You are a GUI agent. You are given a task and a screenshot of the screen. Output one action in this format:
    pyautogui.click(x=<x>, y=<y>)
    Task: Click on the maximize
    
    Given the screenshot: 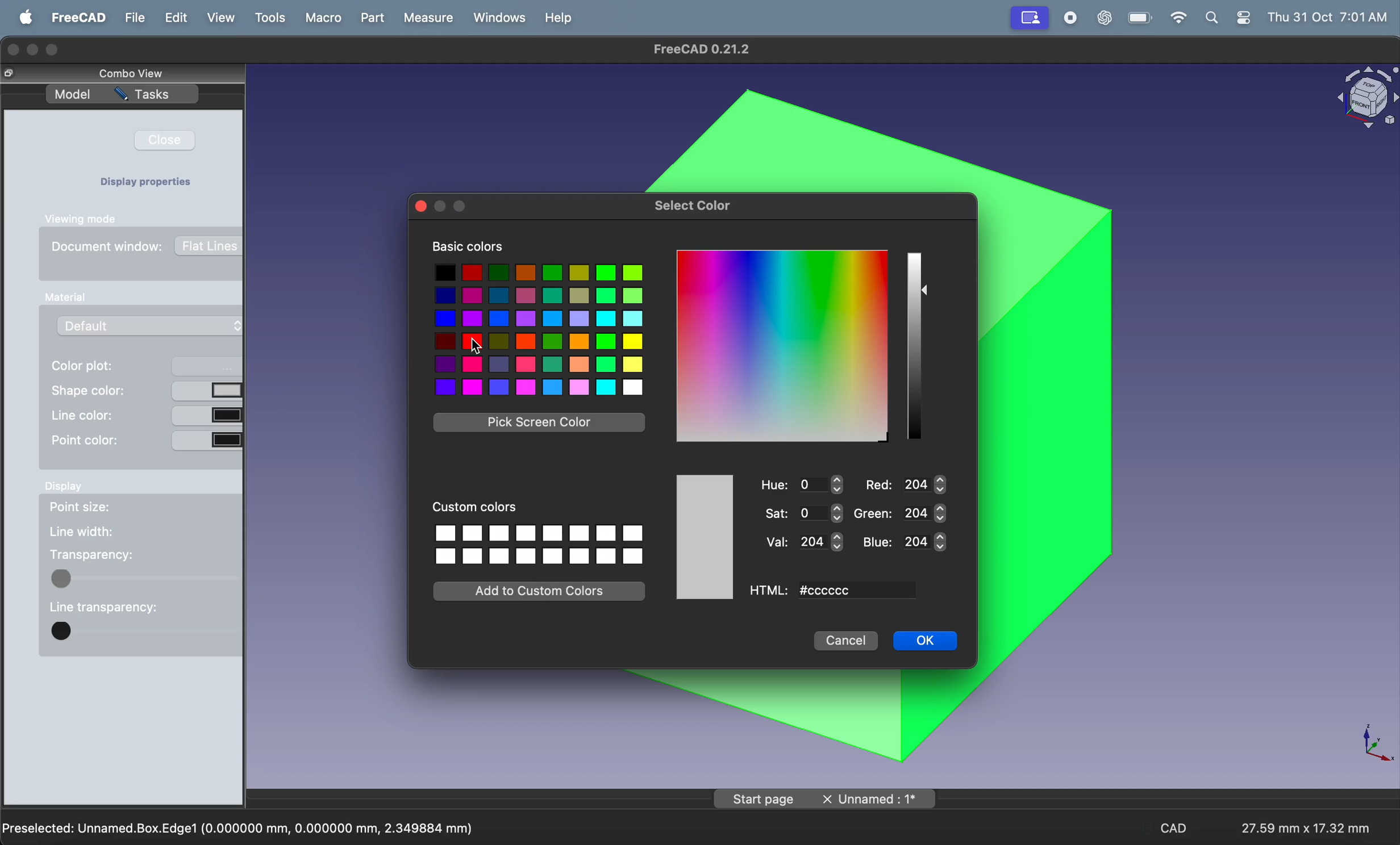 What is the action you would take?
    pyautogui.click(x=53, y=51)
    